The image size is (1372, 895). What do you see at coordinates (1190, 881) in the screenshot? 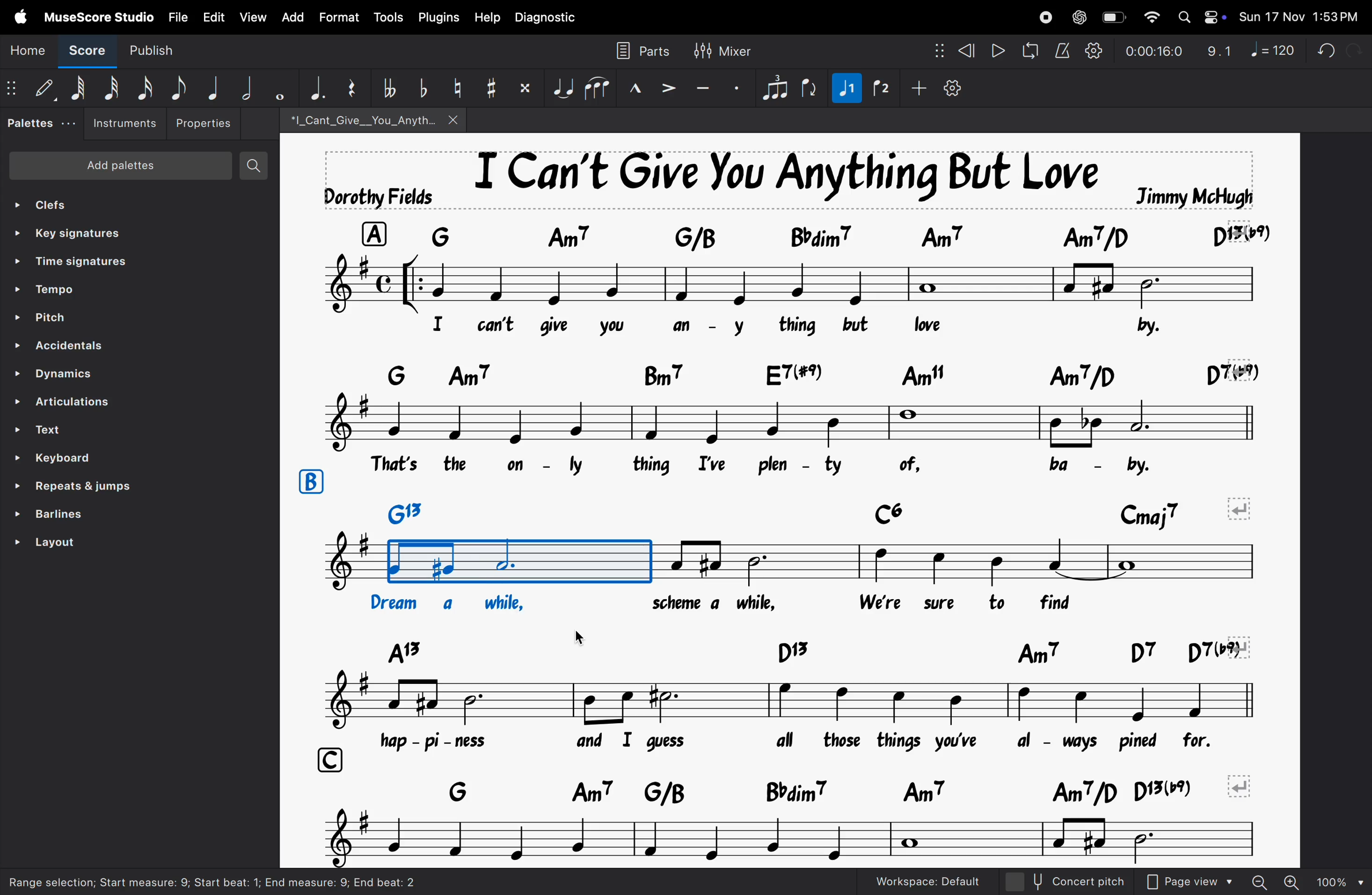
I see `Page view` at bounding box center [1190, 881].